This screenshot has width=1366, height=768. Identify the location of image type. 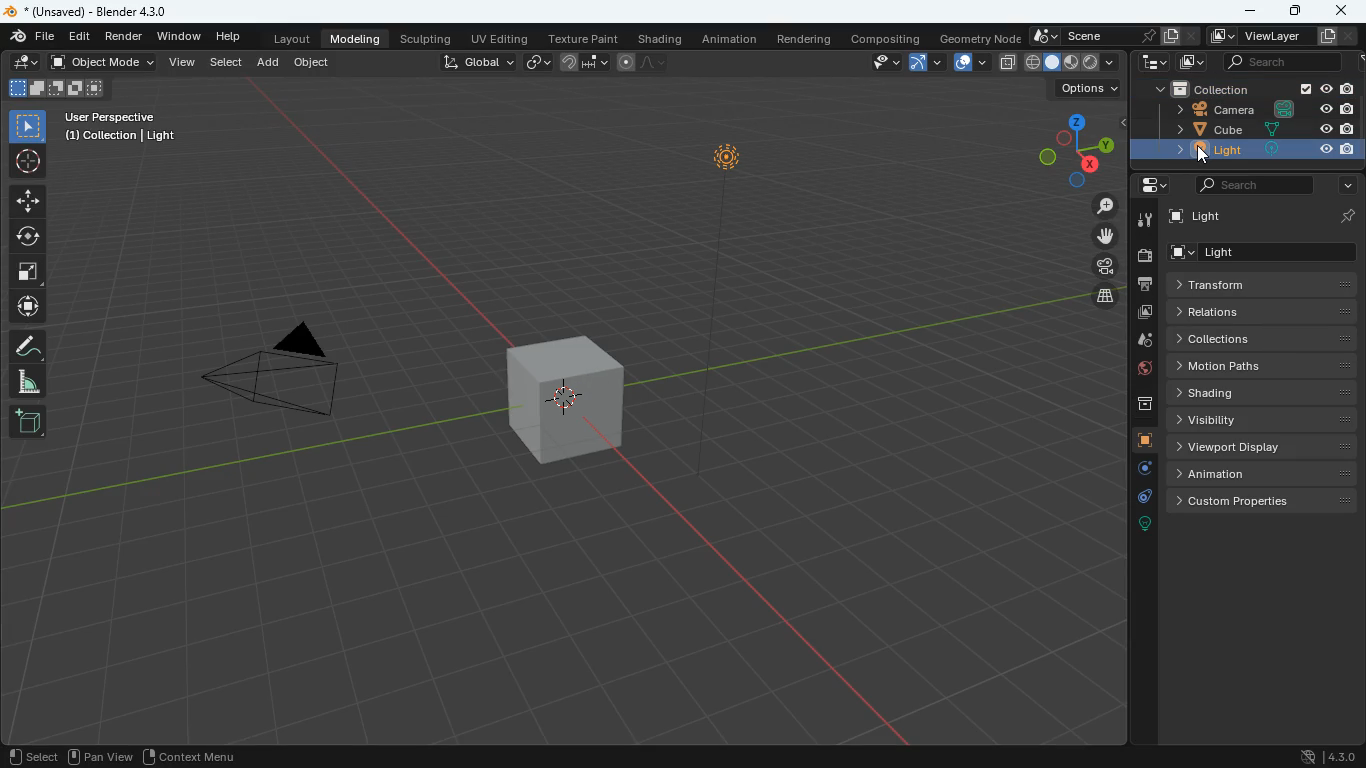
(54, 87).